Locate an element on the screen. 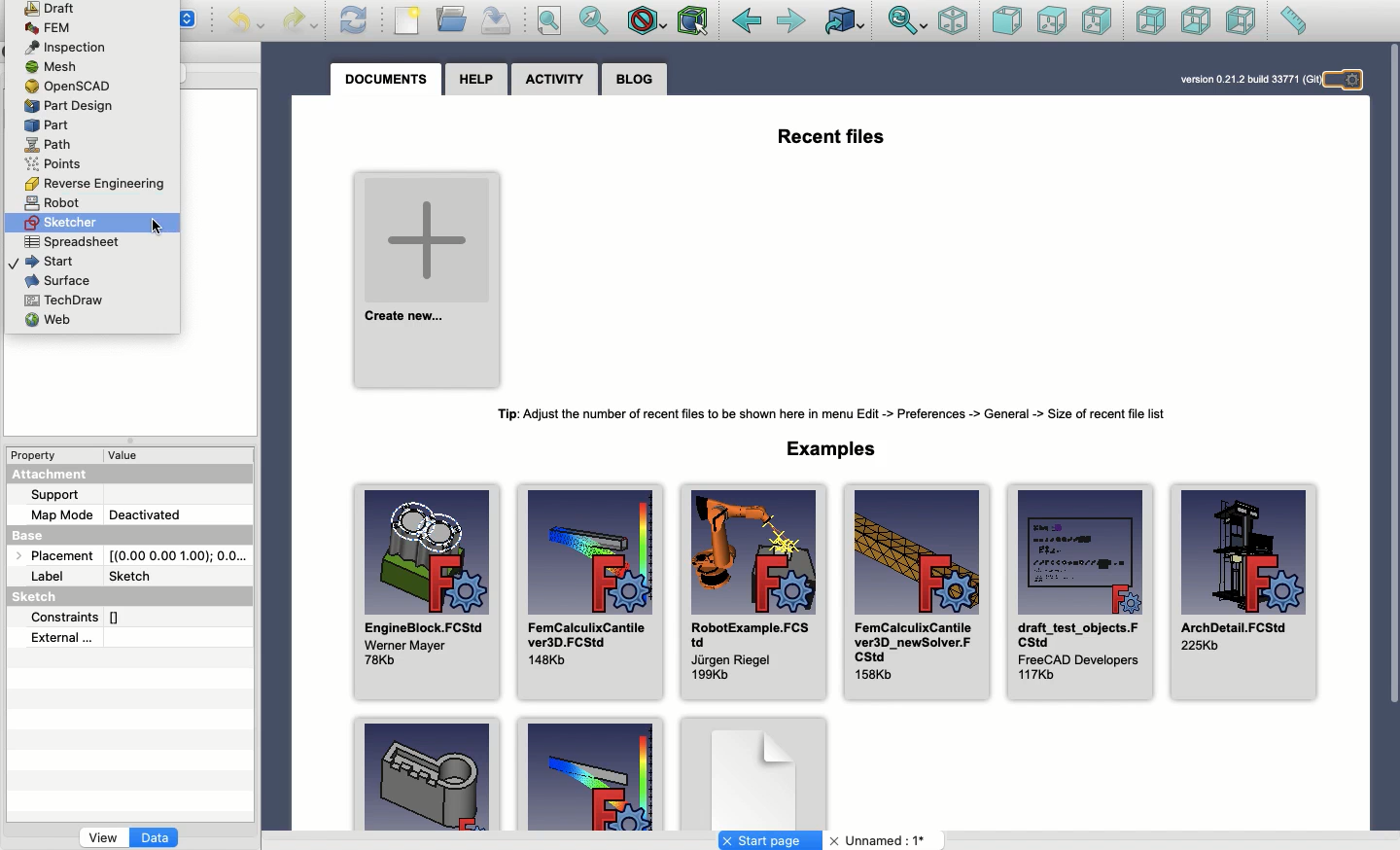 This screenshot has width=1400, height=850. Tech draw is located at coordinates (63, 300).